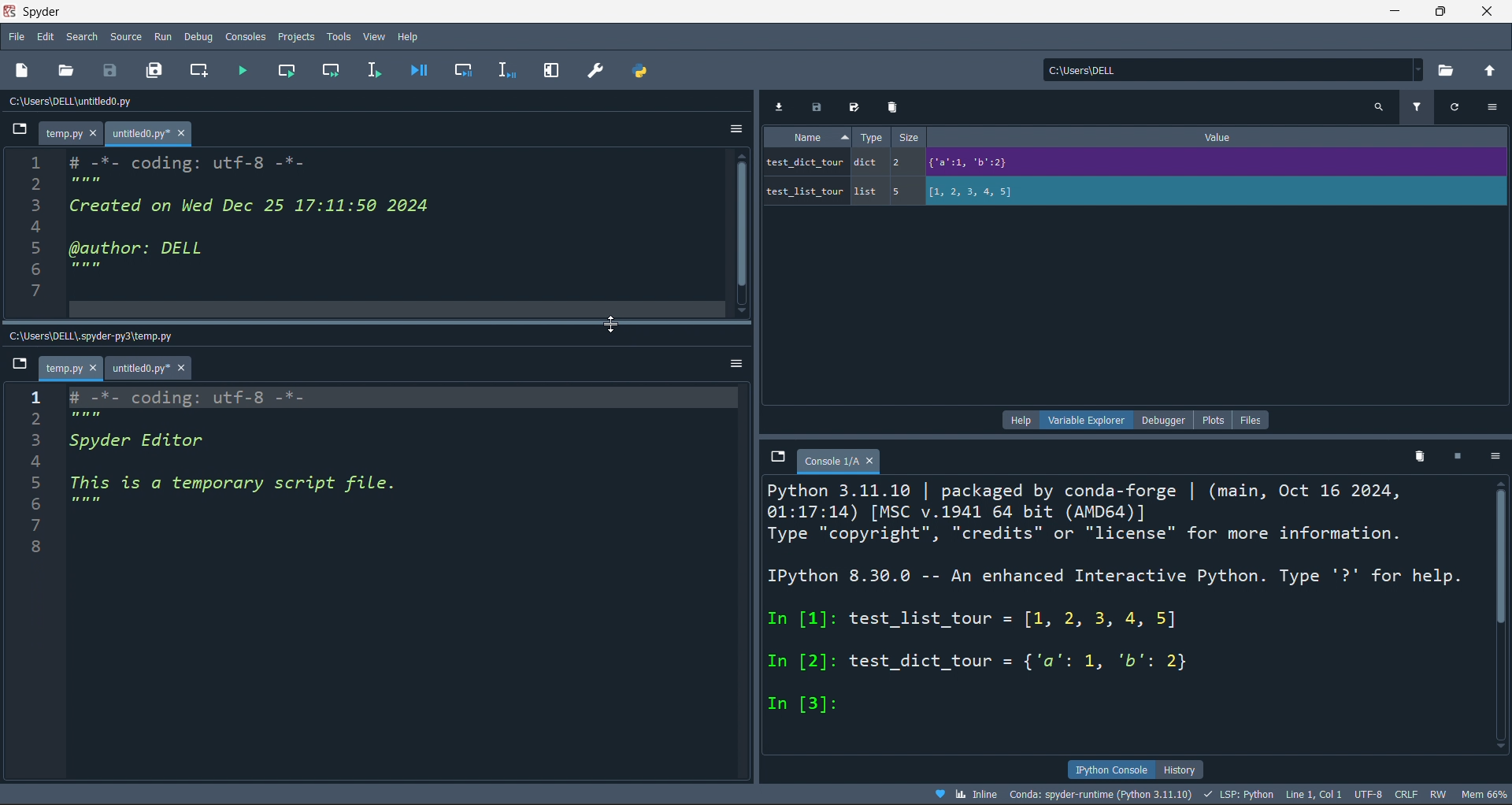 The width and height of the screenshot is (1512, 805). I want to click on delete, so click(1417, 458).